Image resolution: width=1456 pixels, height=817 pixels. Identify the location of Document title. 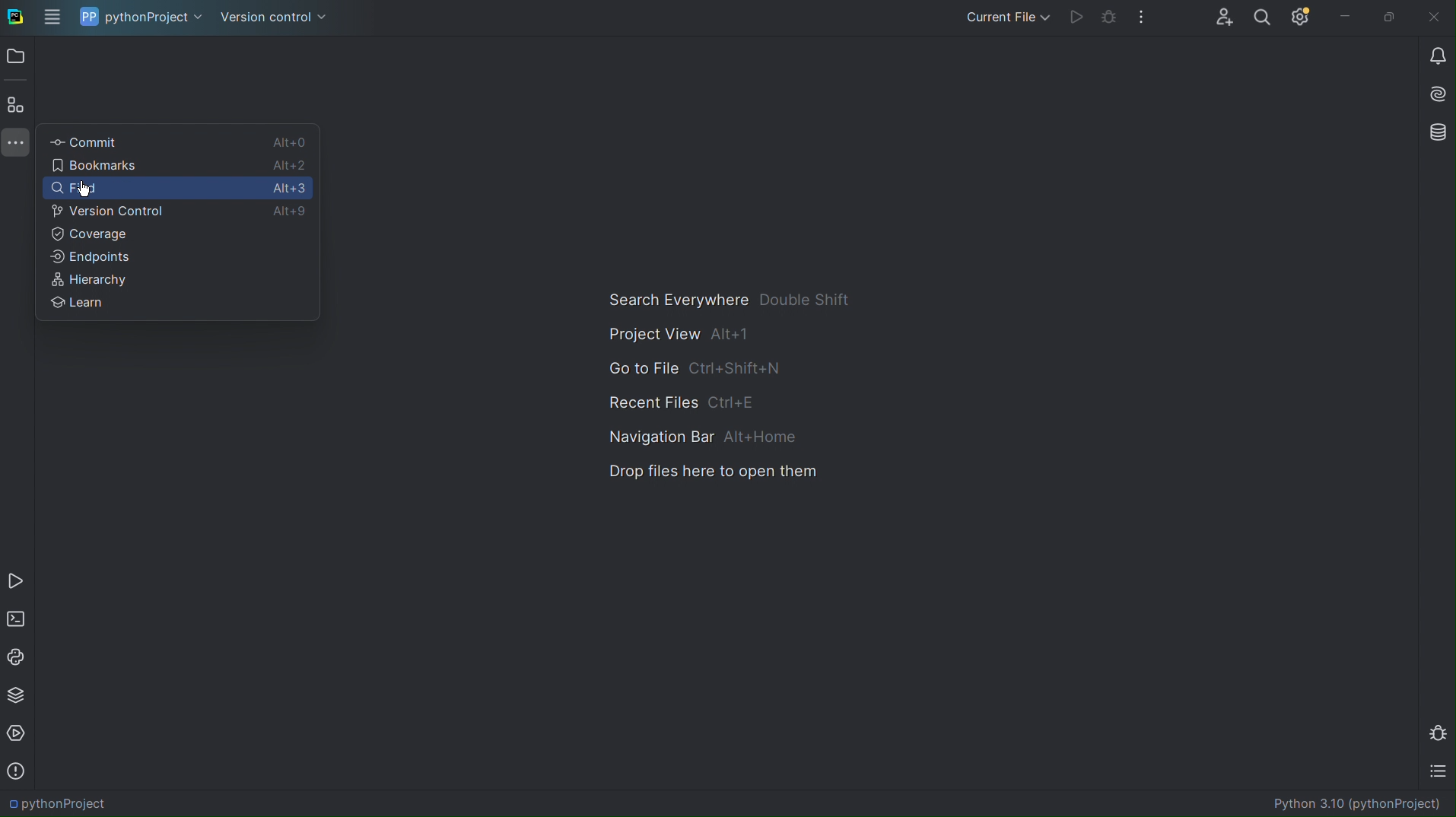
(1342, 805).